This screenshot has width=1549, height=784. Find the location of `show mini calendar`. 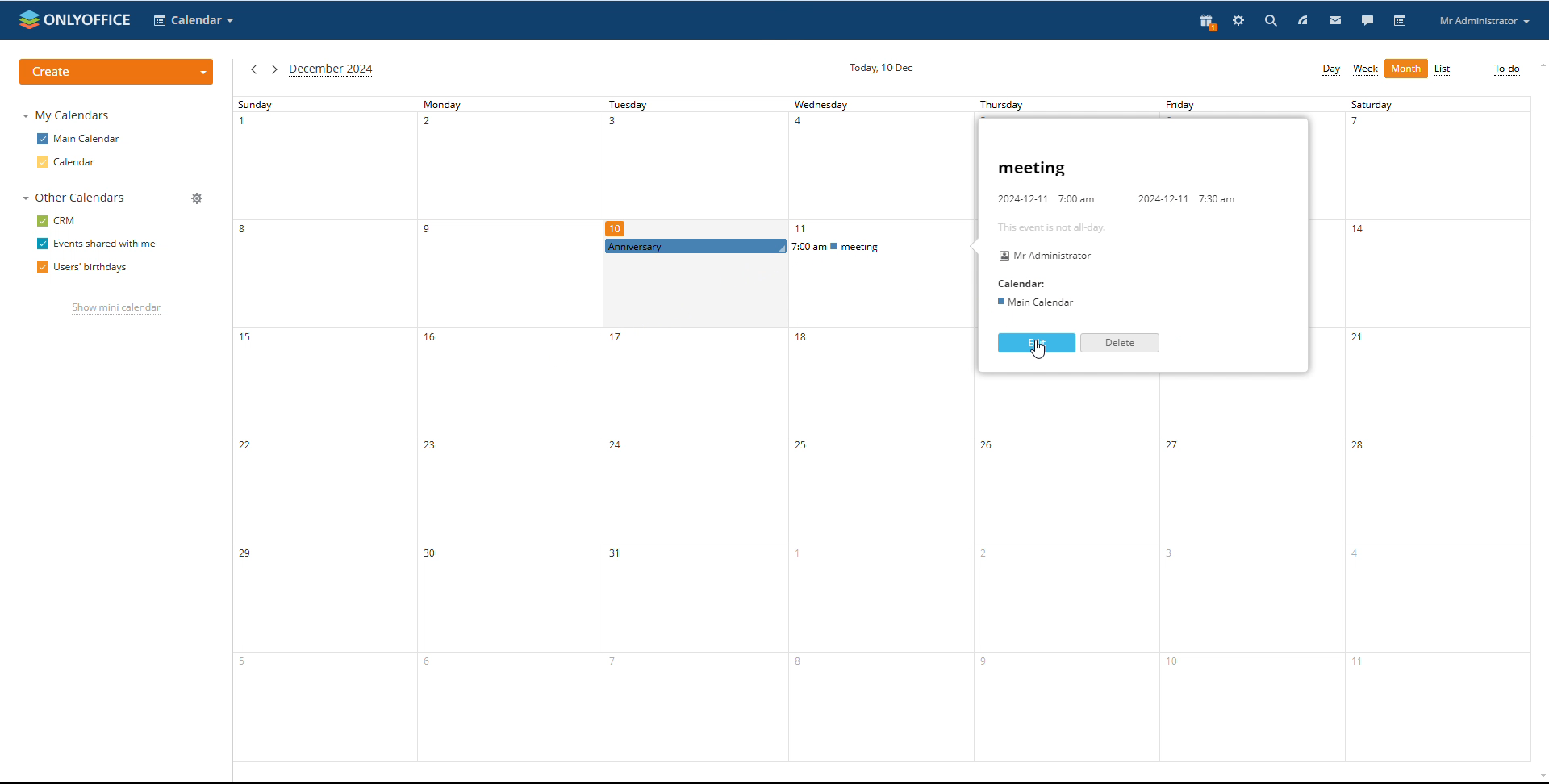

show mini calendar is located at coordinates (116, 310).